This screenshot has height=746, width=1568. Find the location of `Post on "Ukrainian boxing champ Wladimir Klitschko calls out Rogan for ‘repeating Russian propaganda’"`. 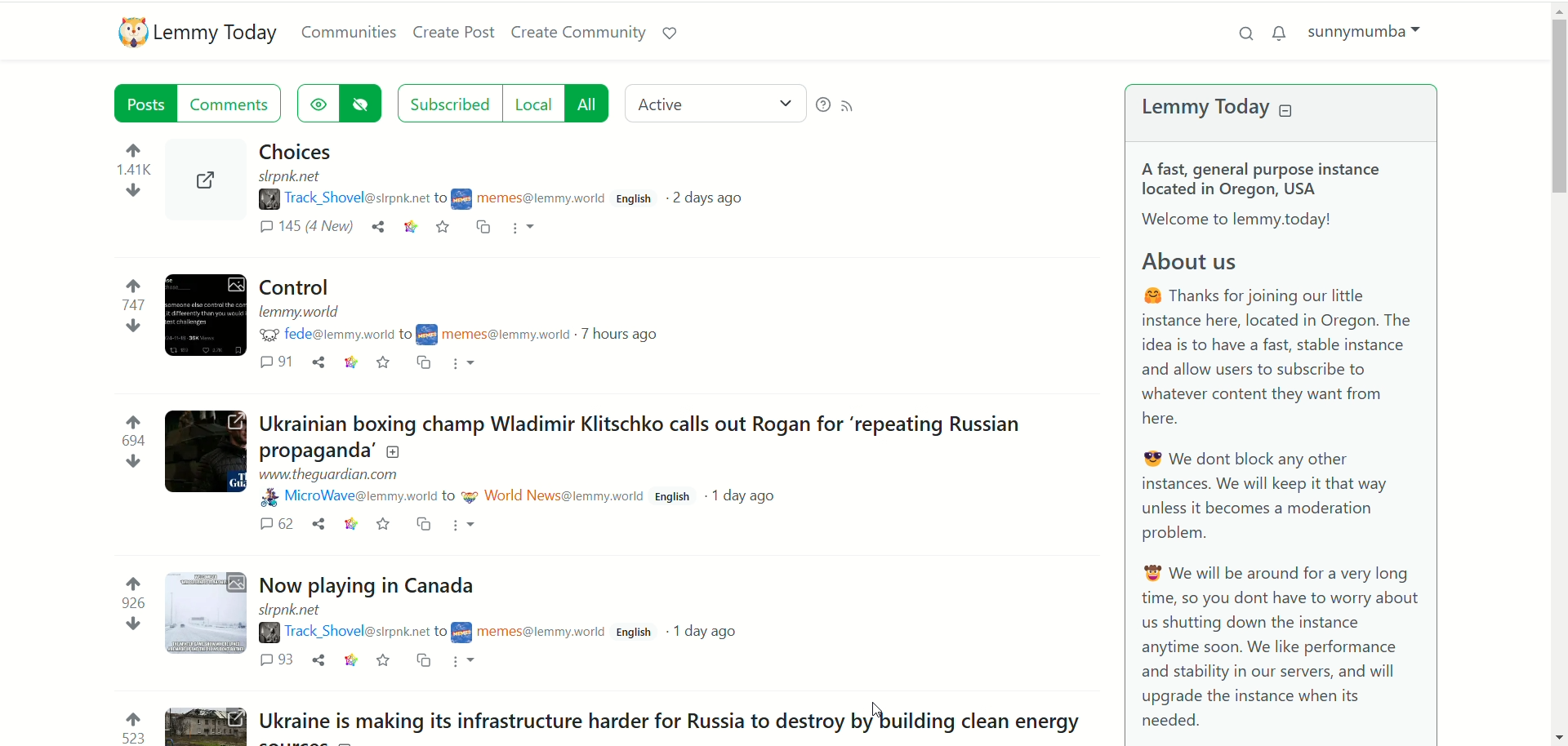

Post on "Ukrainian boxing champ Wladimir Klitschko calls out Rogan for ‘repeating Russian propaganda’" is located at coordinates (640, 437).